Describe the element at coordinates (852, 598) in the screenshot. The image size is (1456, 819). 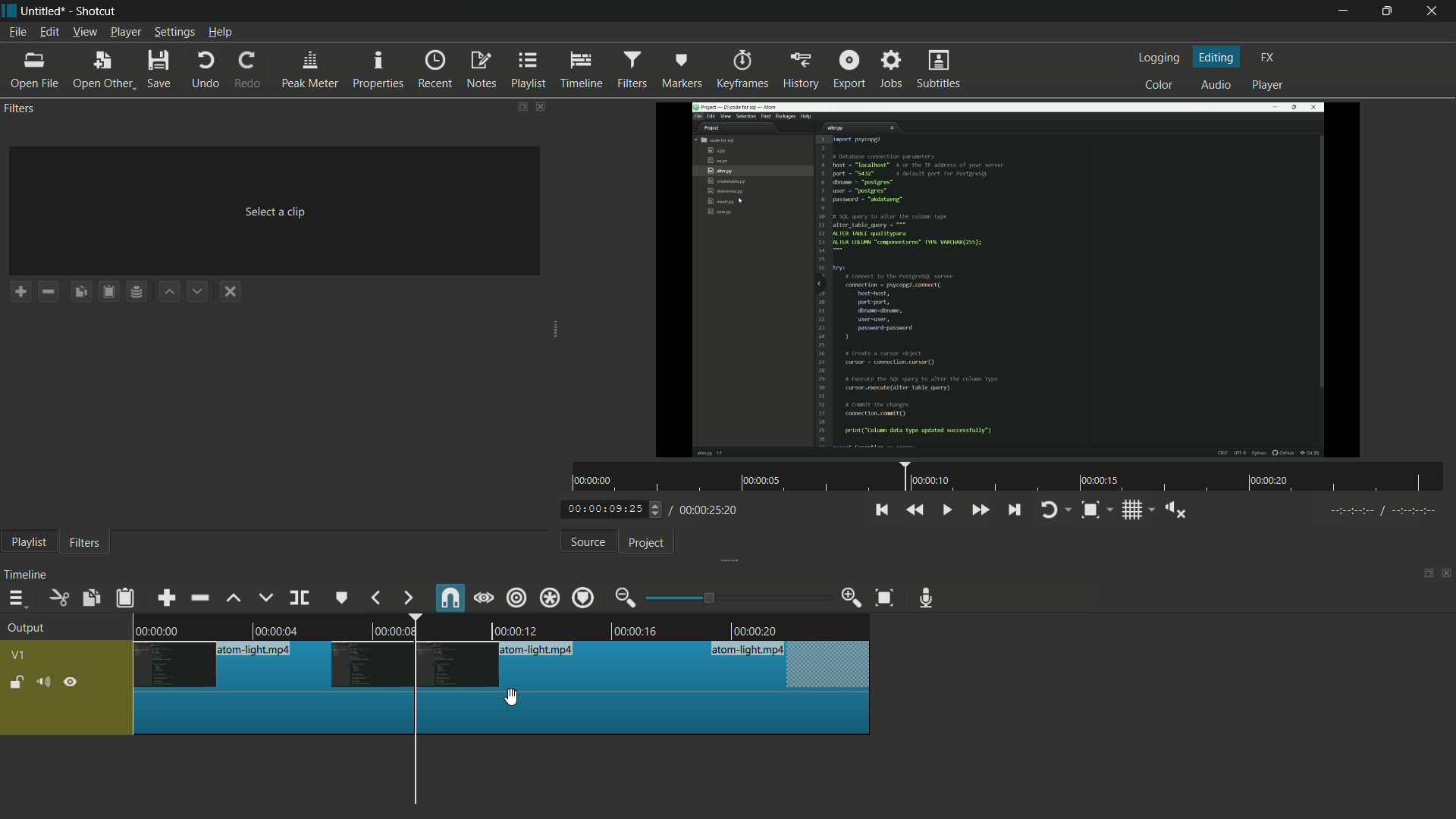
I see `zoom in` at that location.